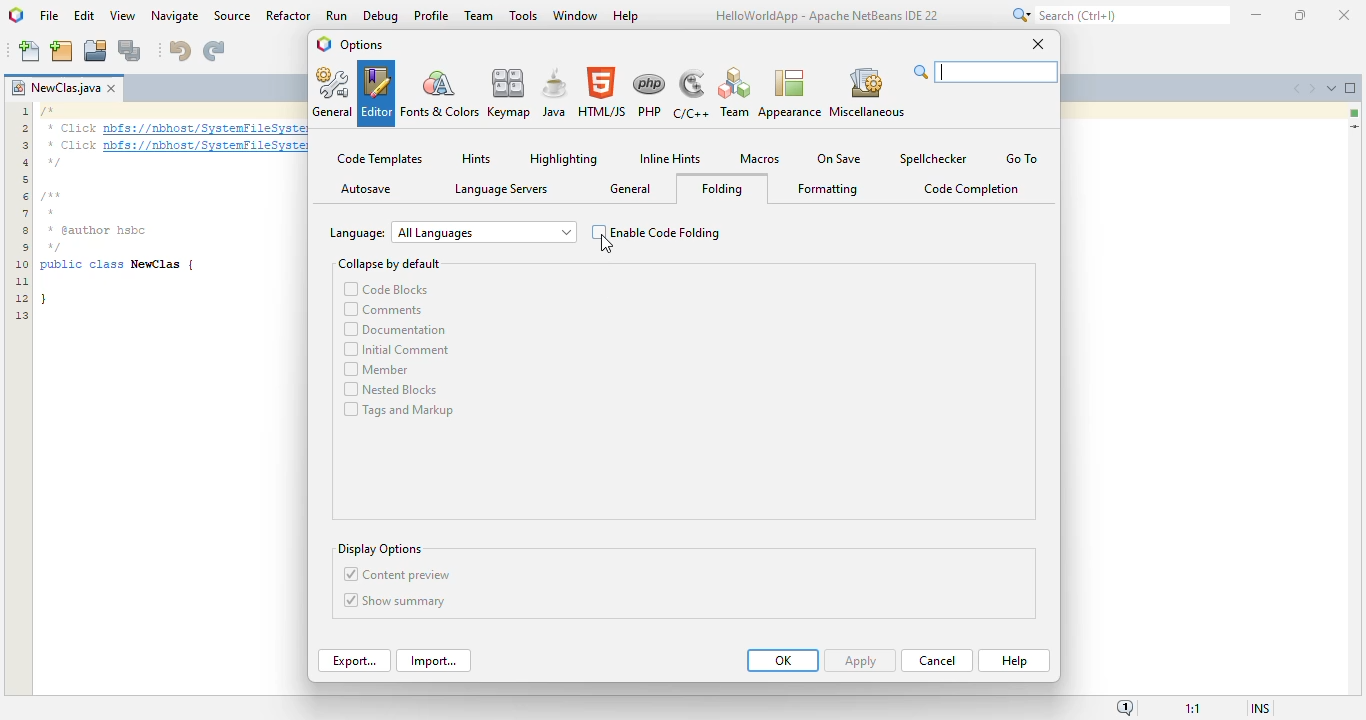 The width and height of the screenshot is (1366, 720). What do you see at coordinates (1039, 44) in the screenshot?
I see `close` at bounding box center [1039, 44].